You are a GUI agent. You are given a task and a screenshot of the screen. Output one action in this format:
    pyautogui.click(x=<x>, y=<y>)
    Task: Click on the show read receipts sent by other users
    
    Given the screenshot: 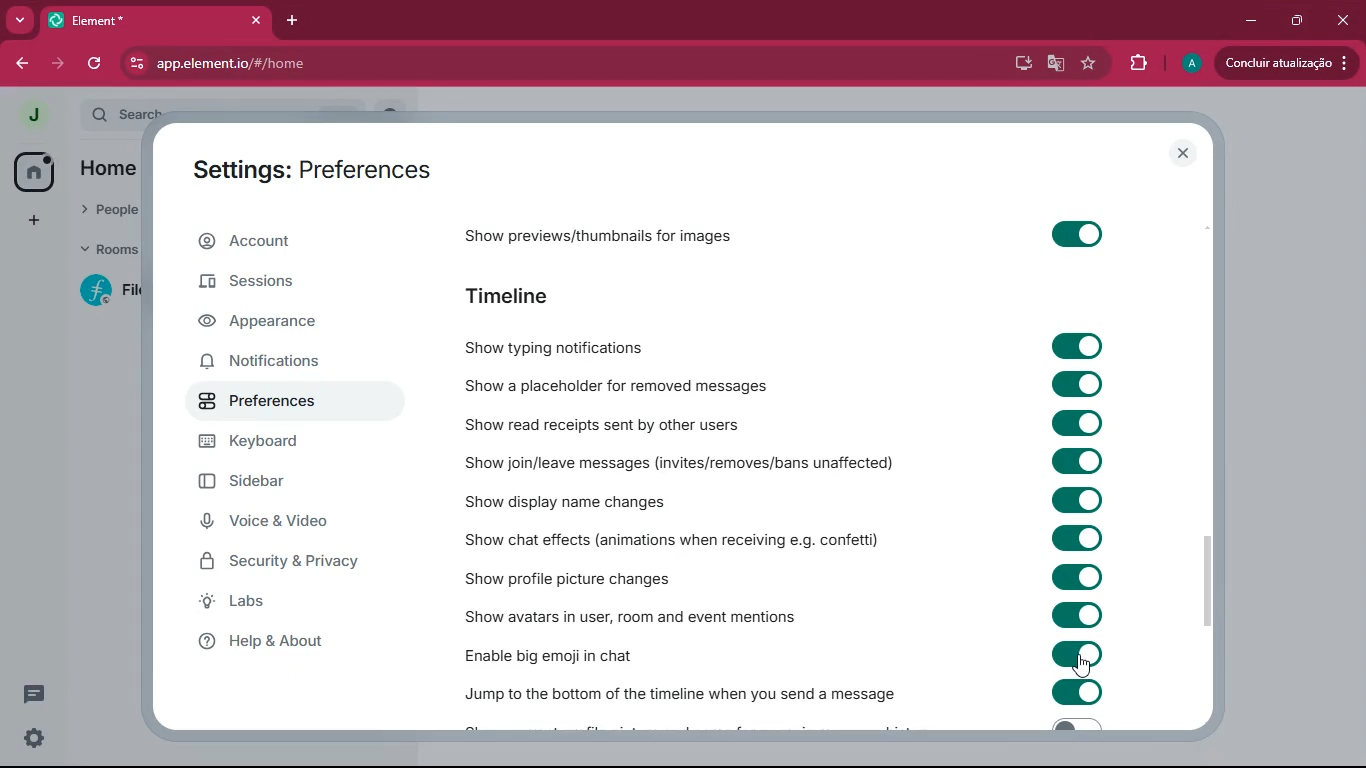 What is the action you would take?
    pyautogui.click(x=672, y=421)
    